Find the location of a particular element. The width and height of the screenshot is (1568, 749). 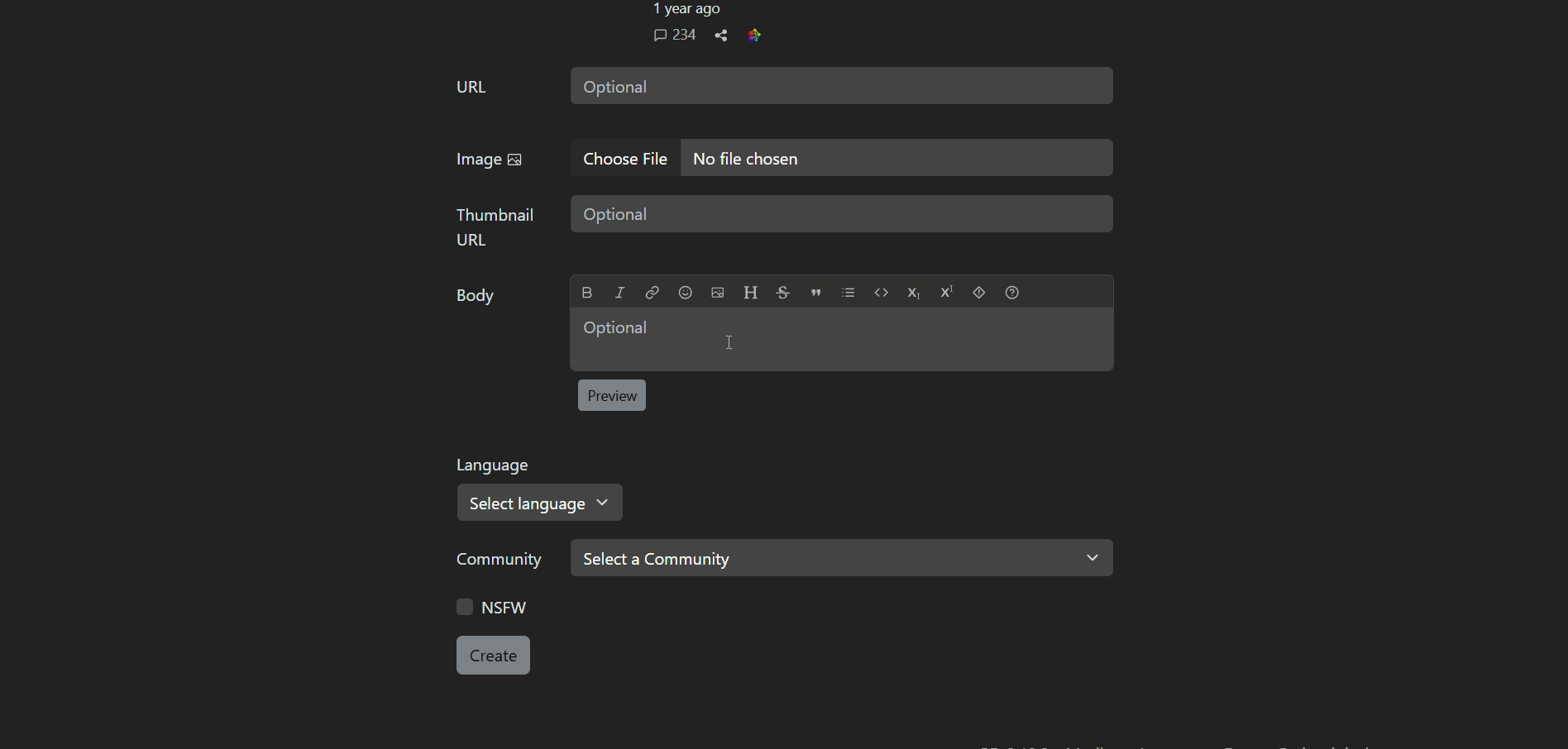

thumbnail URL is located at coordinates (494, 226).